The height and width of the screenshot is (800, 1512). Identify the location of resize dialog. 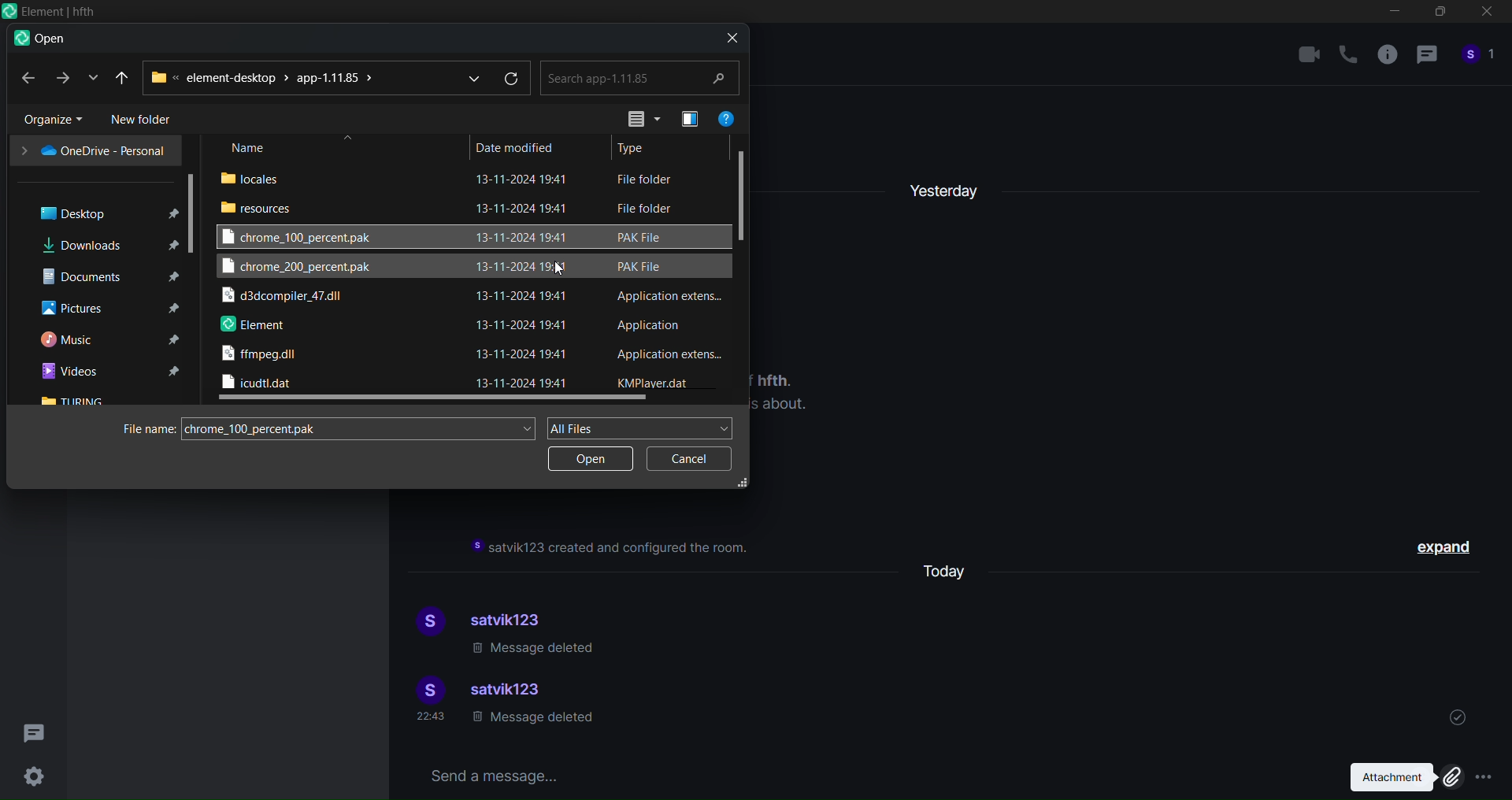
(743, 483).